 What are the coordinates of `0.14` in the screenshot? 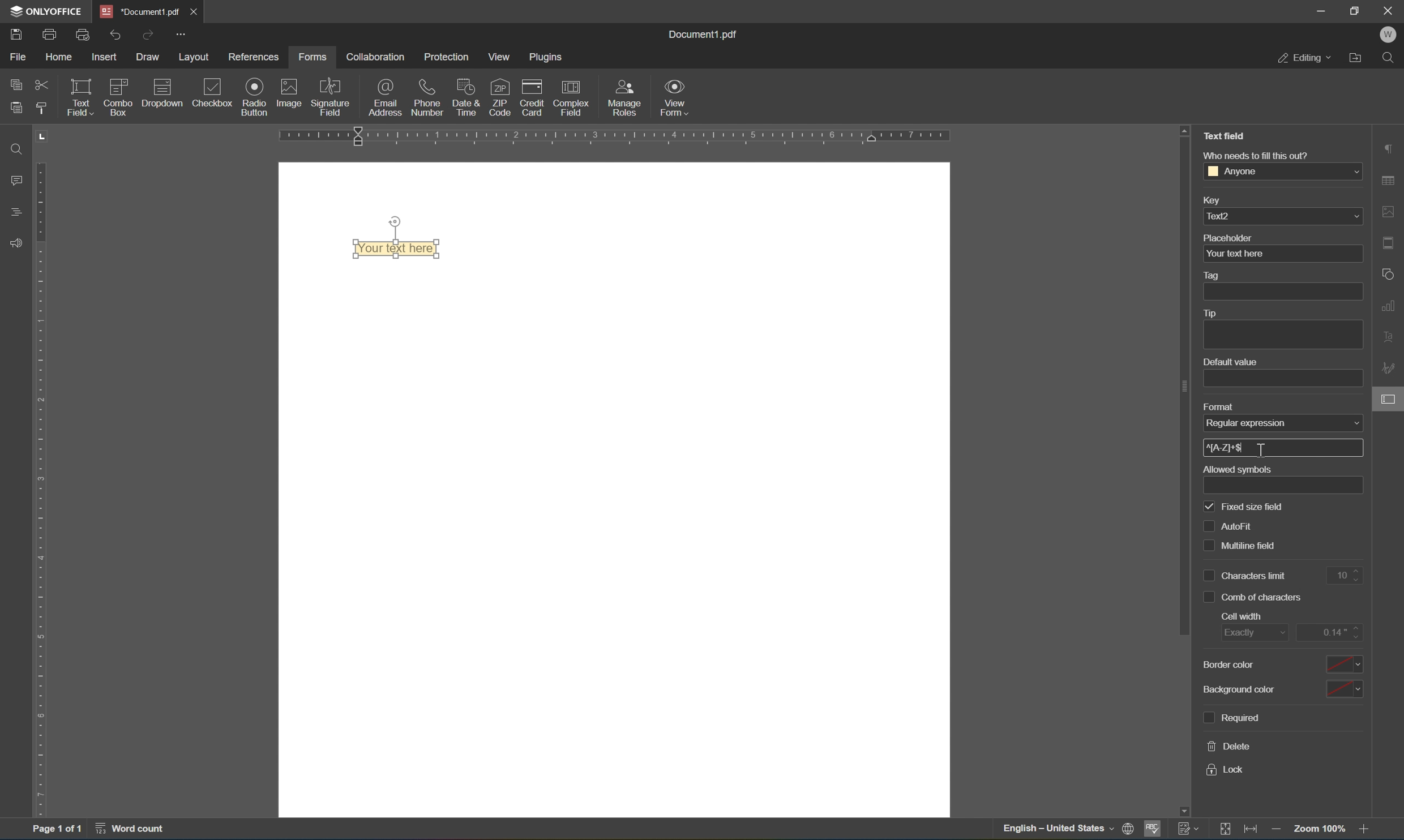 It's located at (1333, 632).